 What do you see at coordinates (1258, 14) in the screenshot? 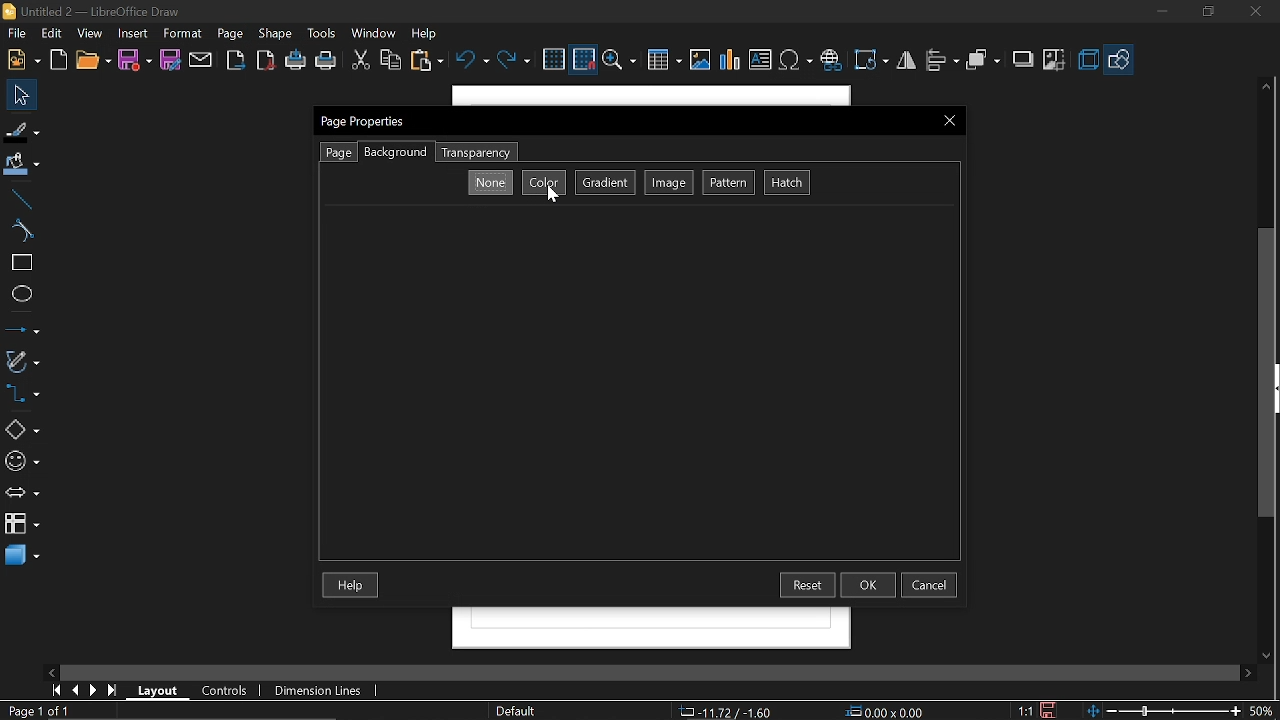
I see `CLose` at bounding box center [1258, 14].